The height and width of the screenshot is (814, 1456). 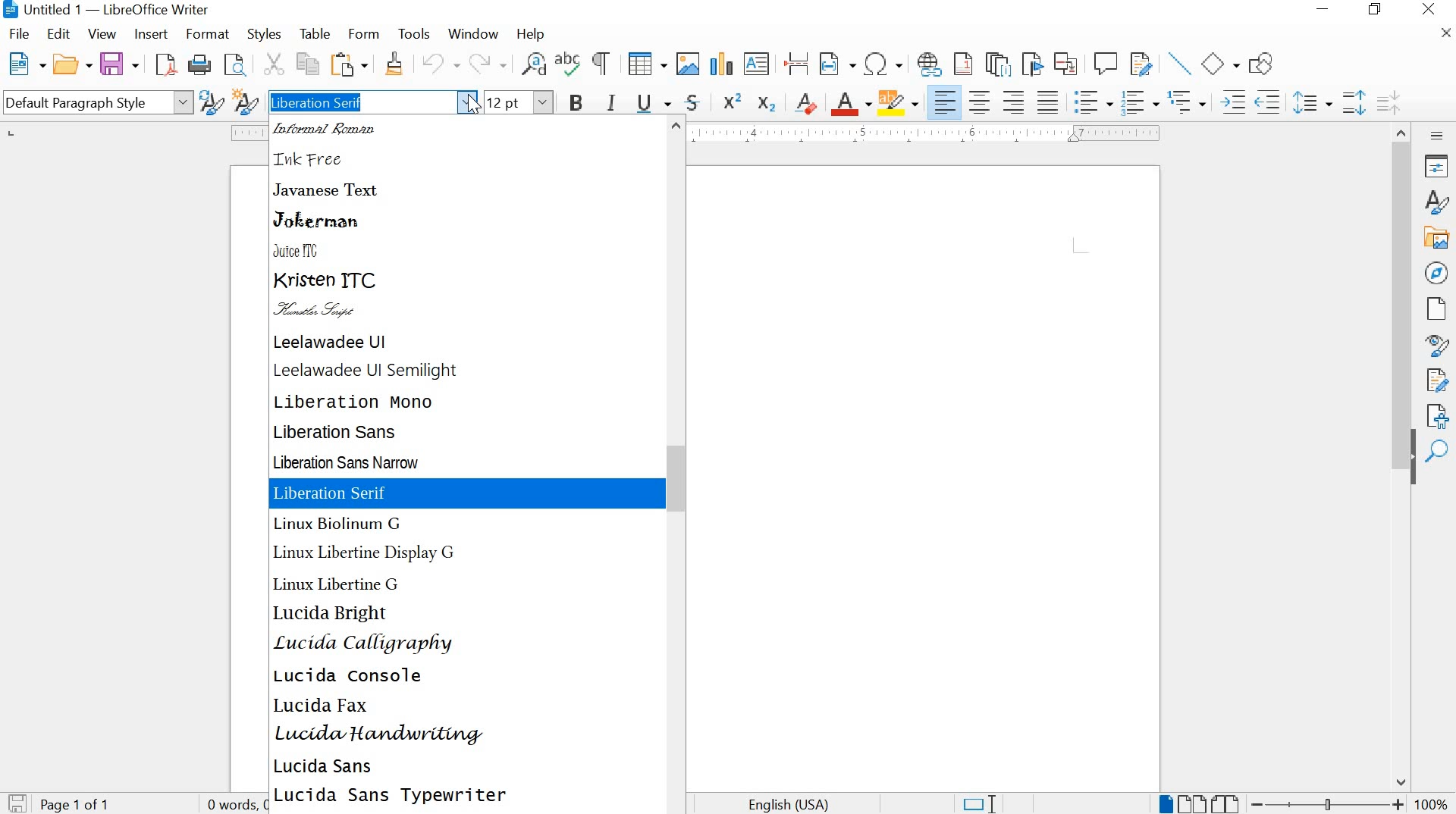 I want to click on ALIGN LEFT, so click(x=945, y=102).